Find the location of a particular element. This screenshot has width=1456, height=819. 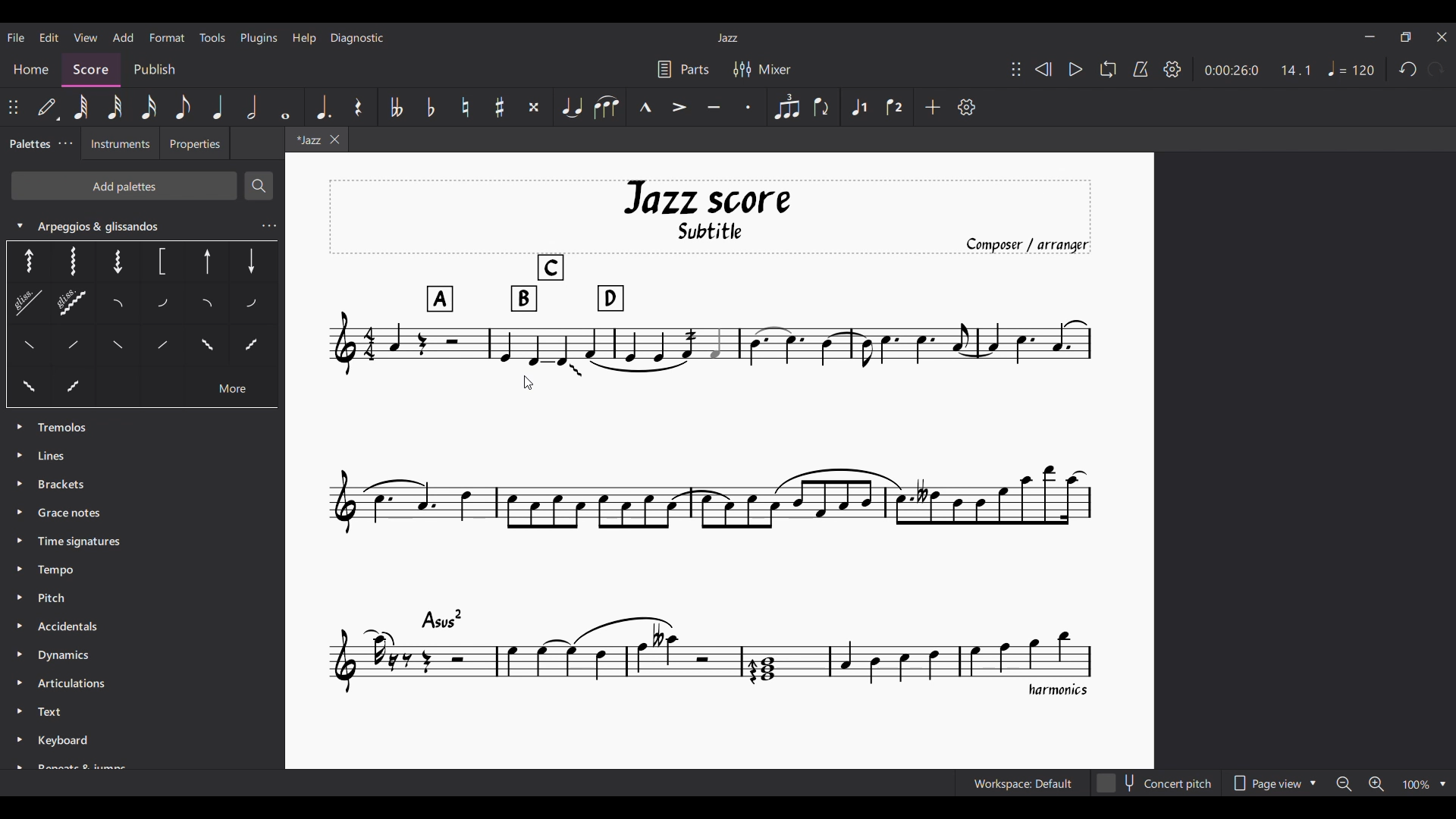

Redo is located at coordinates (1436, 69).